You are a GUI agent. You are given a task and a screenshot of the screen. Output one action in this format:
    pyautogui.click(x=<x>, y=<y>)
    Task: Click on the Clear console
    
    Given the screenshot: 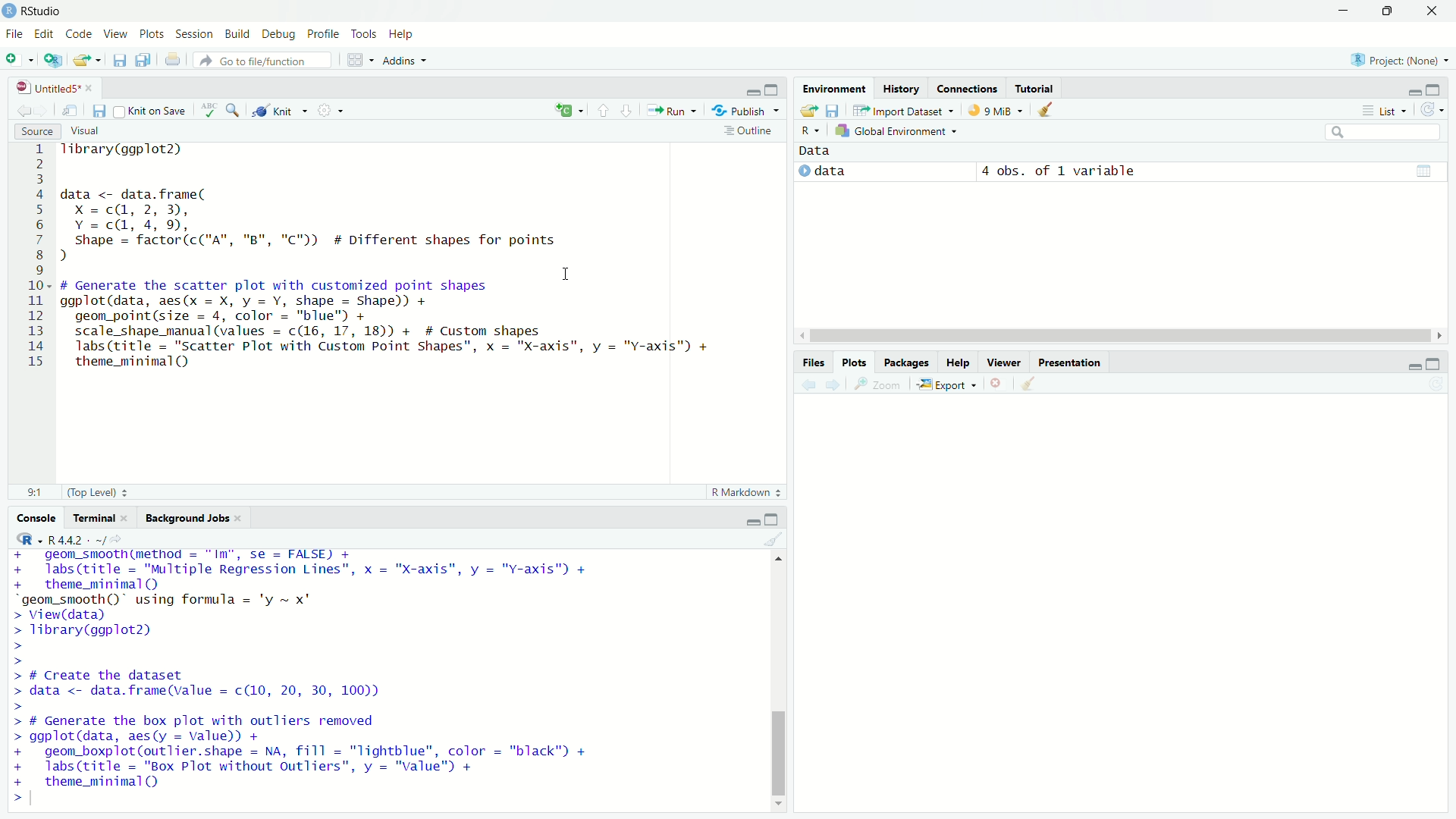 What is the action you would take?
    pyautogui.click(x=774, y=539)
    